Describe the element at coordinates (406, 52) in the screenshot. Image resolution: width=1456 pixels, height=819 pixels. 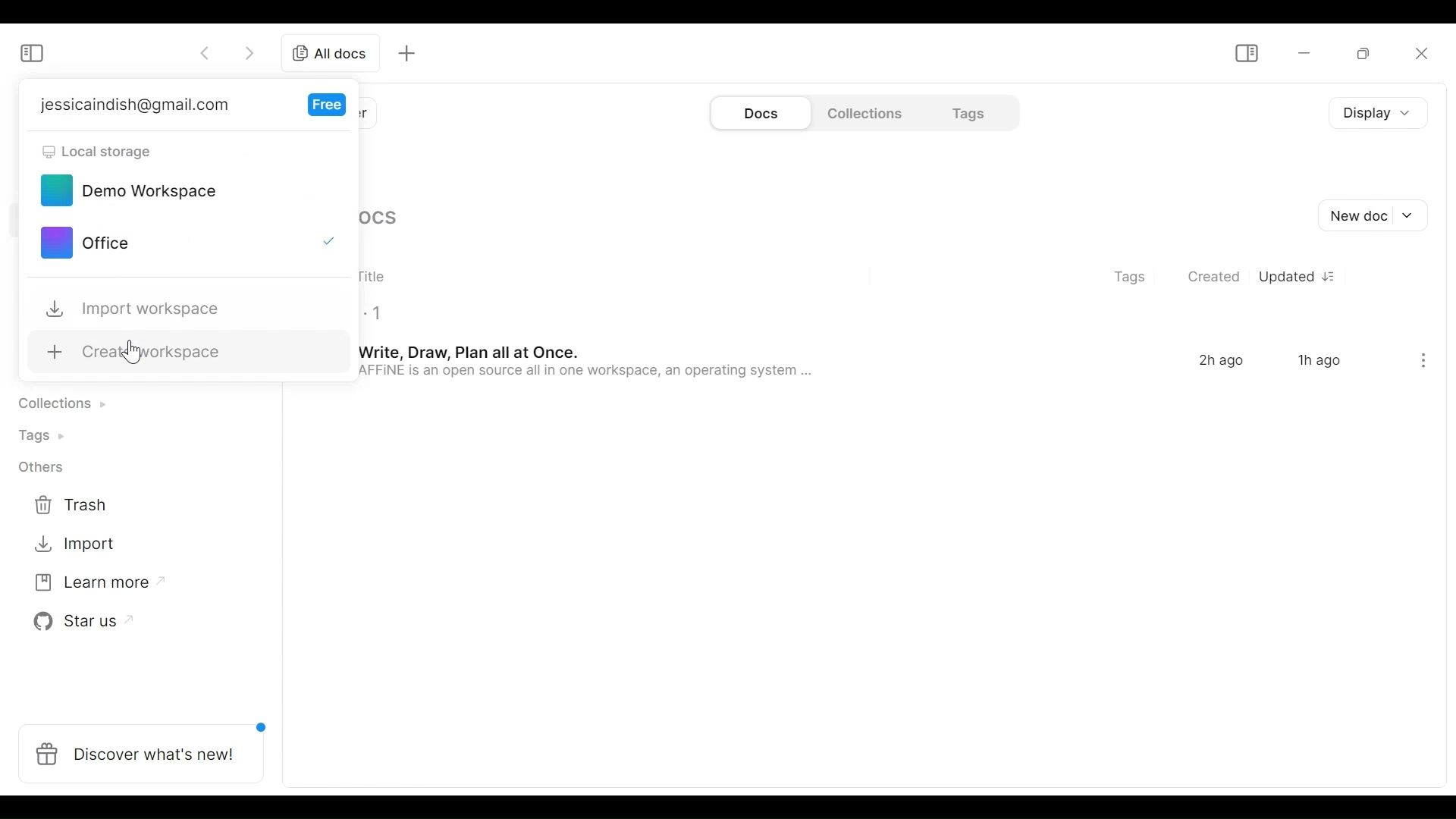
I see `New tab` at that location.